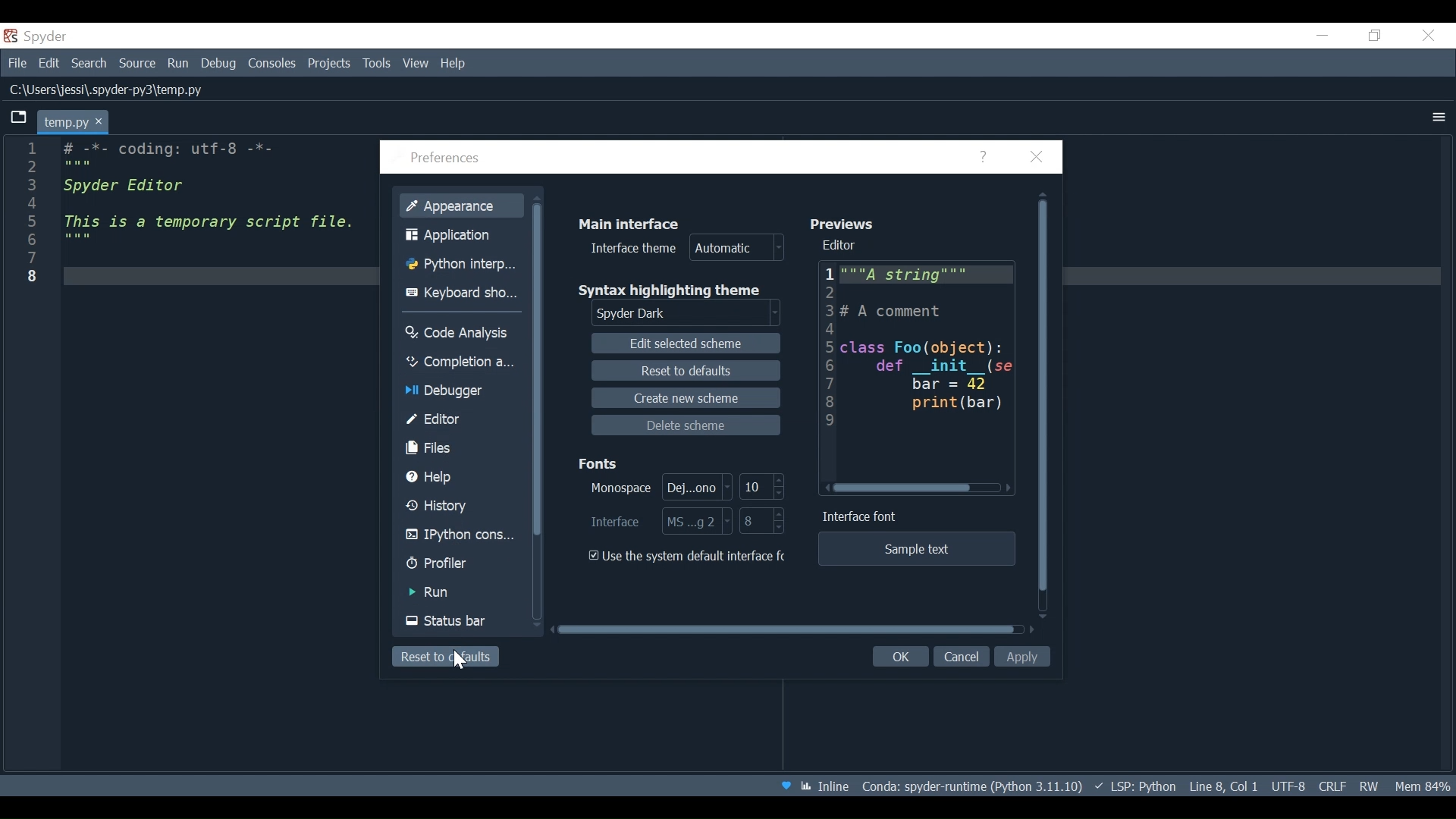  I want to click on Reset to defaults, so click(444, 657).